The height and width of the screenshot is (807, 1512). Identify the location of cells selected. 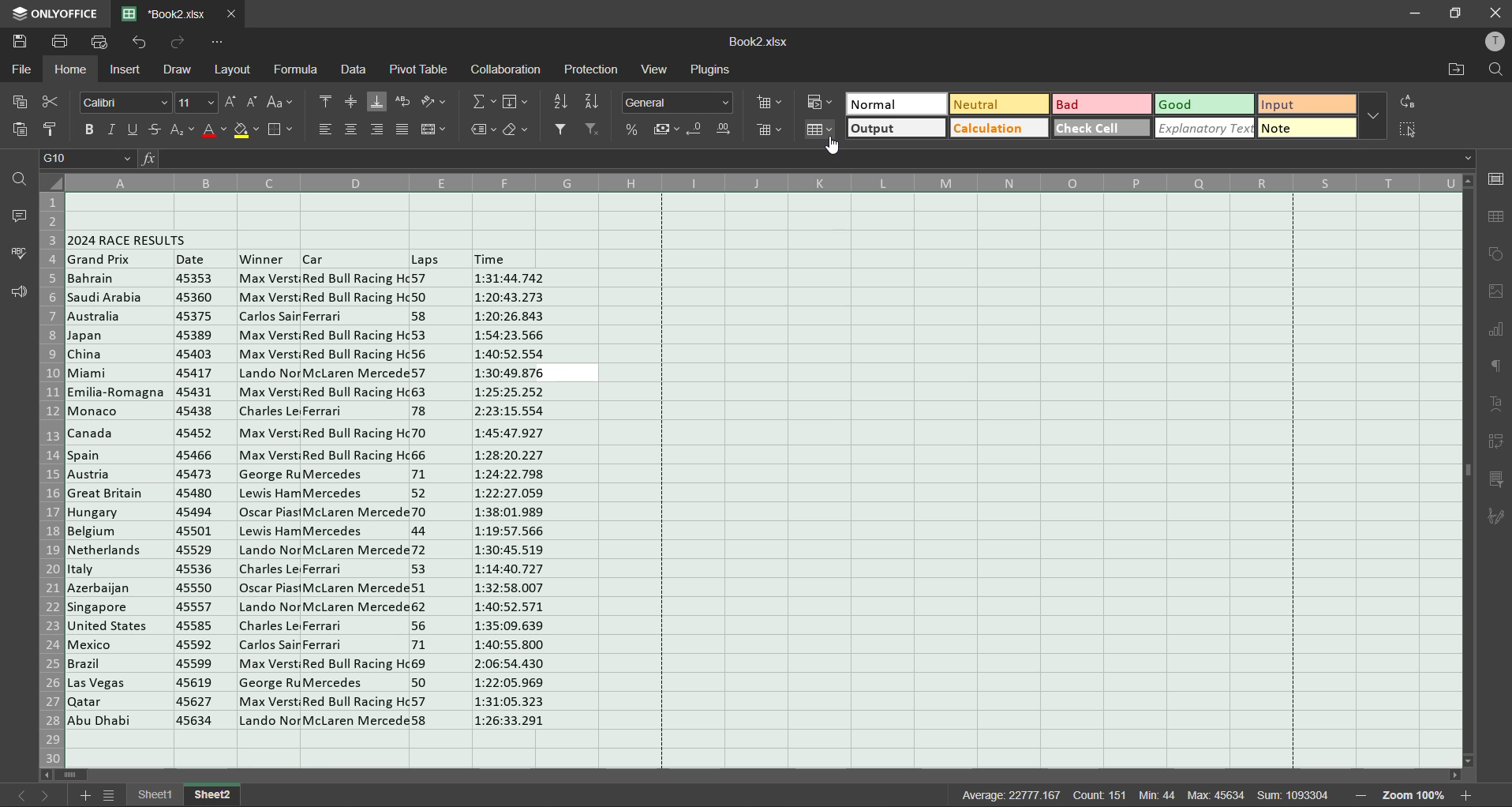
(763, 481).